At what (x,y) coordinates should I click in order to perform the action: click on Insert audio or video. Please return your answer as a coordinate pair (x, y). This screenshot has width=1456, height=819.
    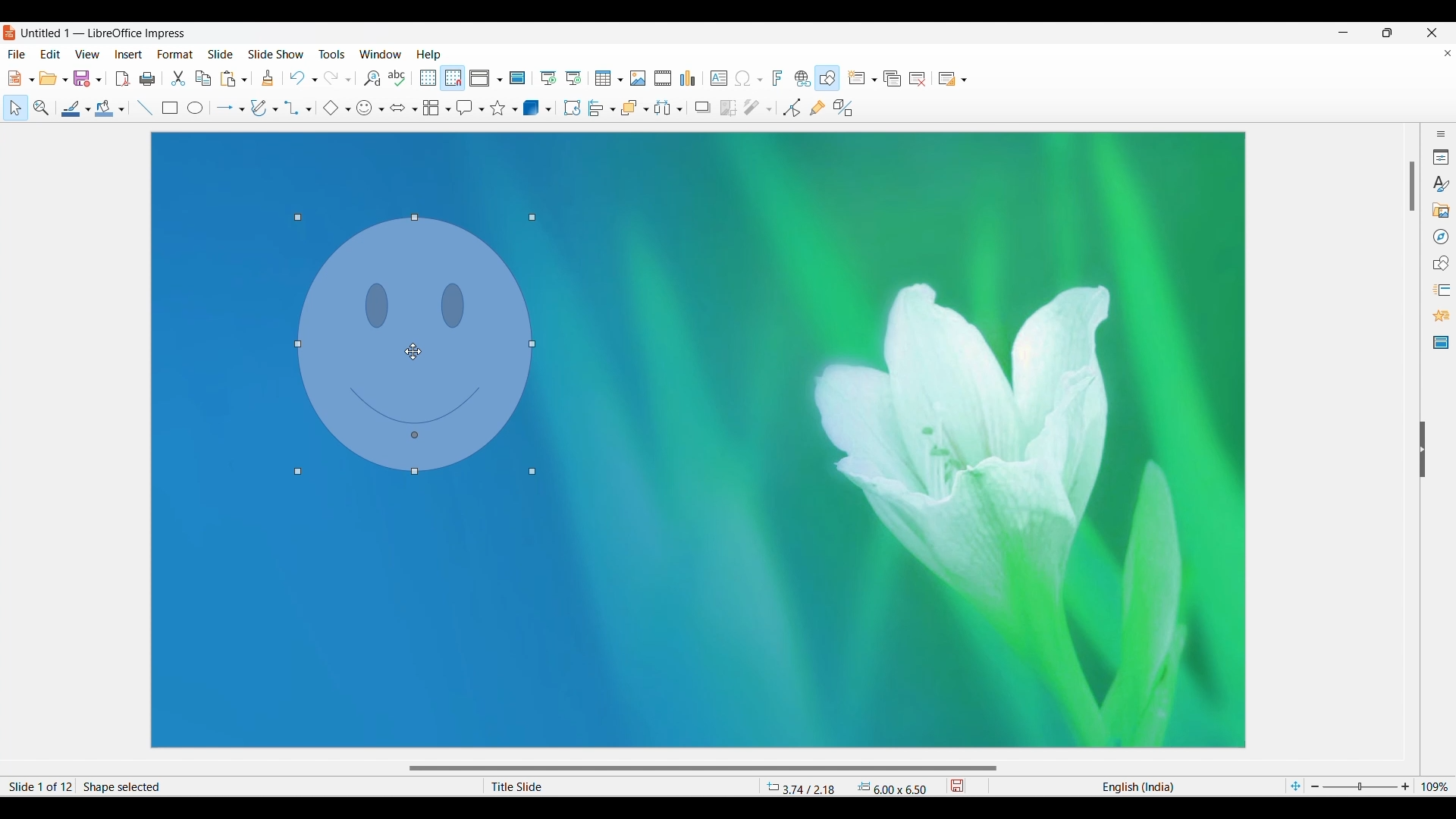
    Looking at the image, I should click on (664, 78).